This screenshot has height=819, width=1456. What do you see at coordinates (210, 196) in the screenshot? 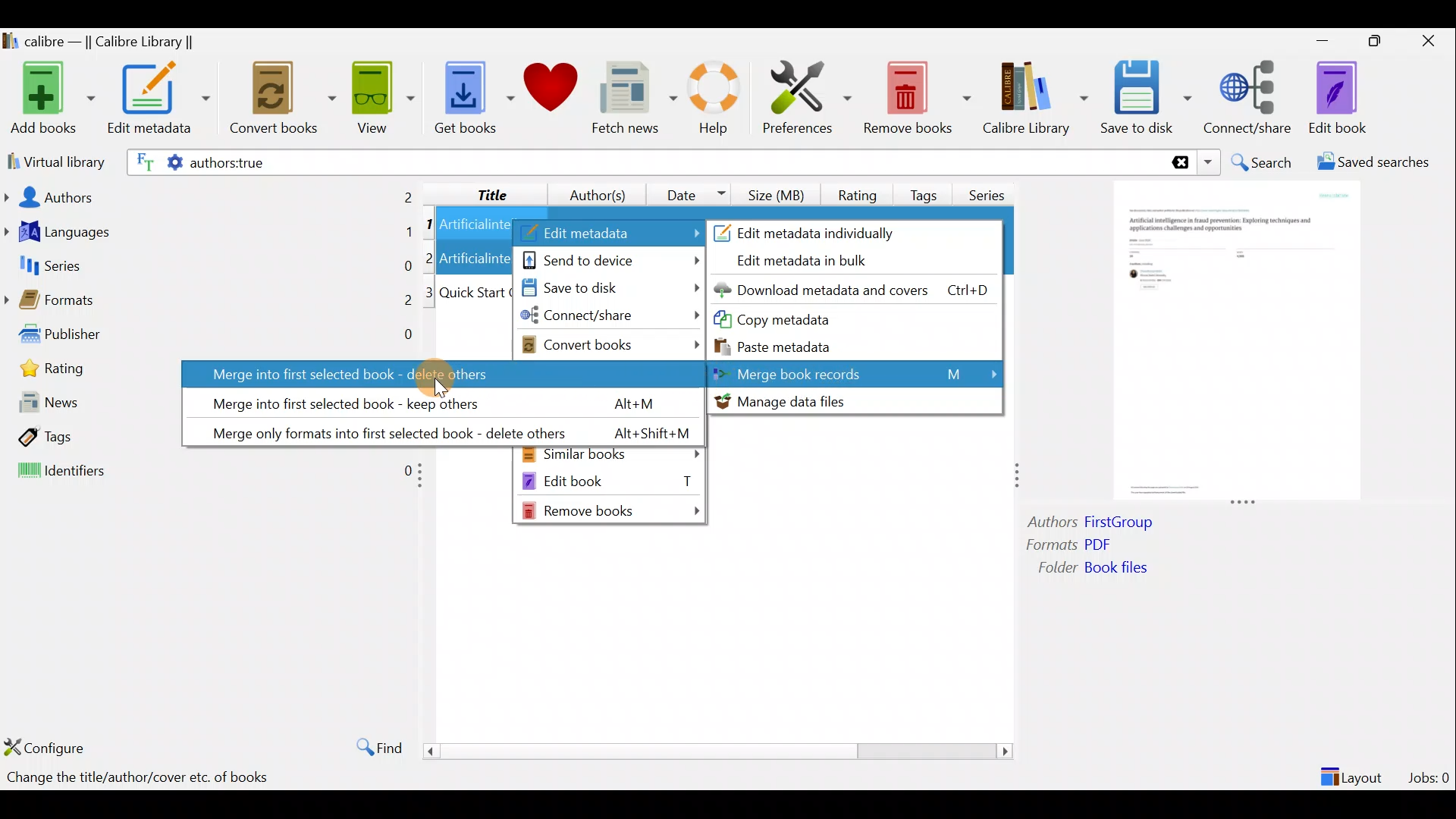
I see `Authors` at bounding box center [210, 196].